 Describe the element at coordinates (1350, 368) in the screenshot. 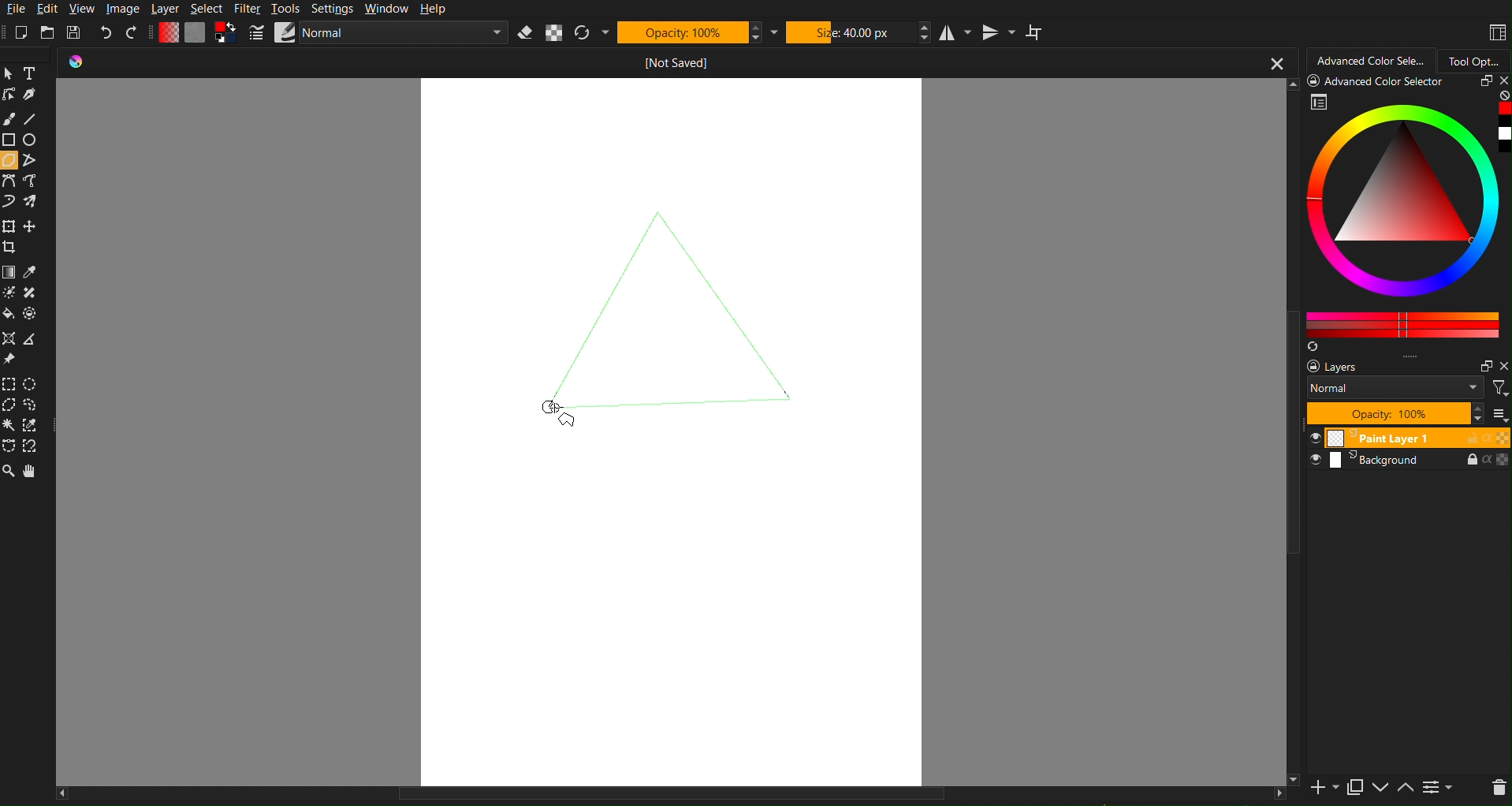

I see `layers` at that location.